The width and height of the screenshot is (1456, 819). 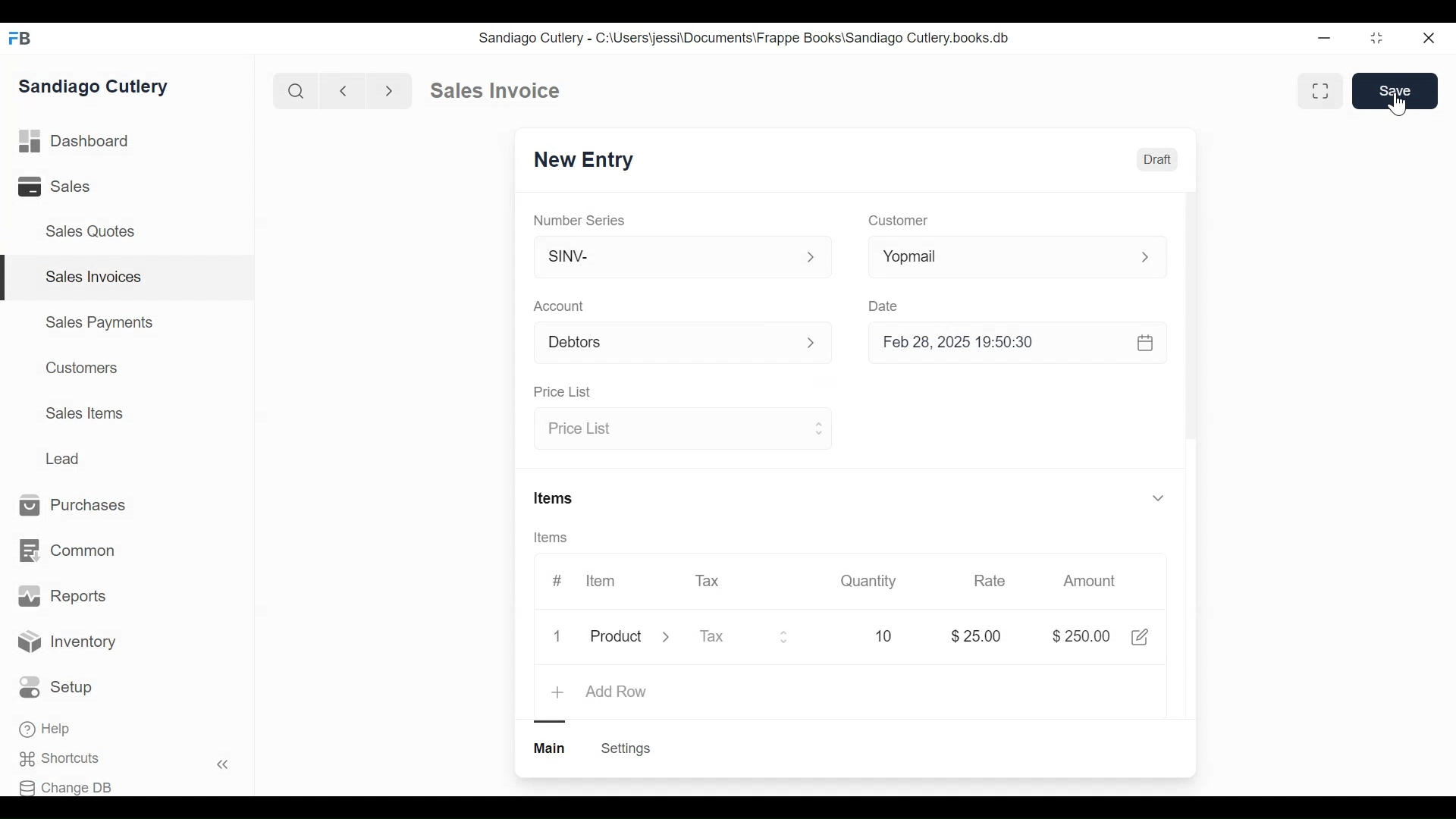 I want to click on search, so click(x=297, y=92).